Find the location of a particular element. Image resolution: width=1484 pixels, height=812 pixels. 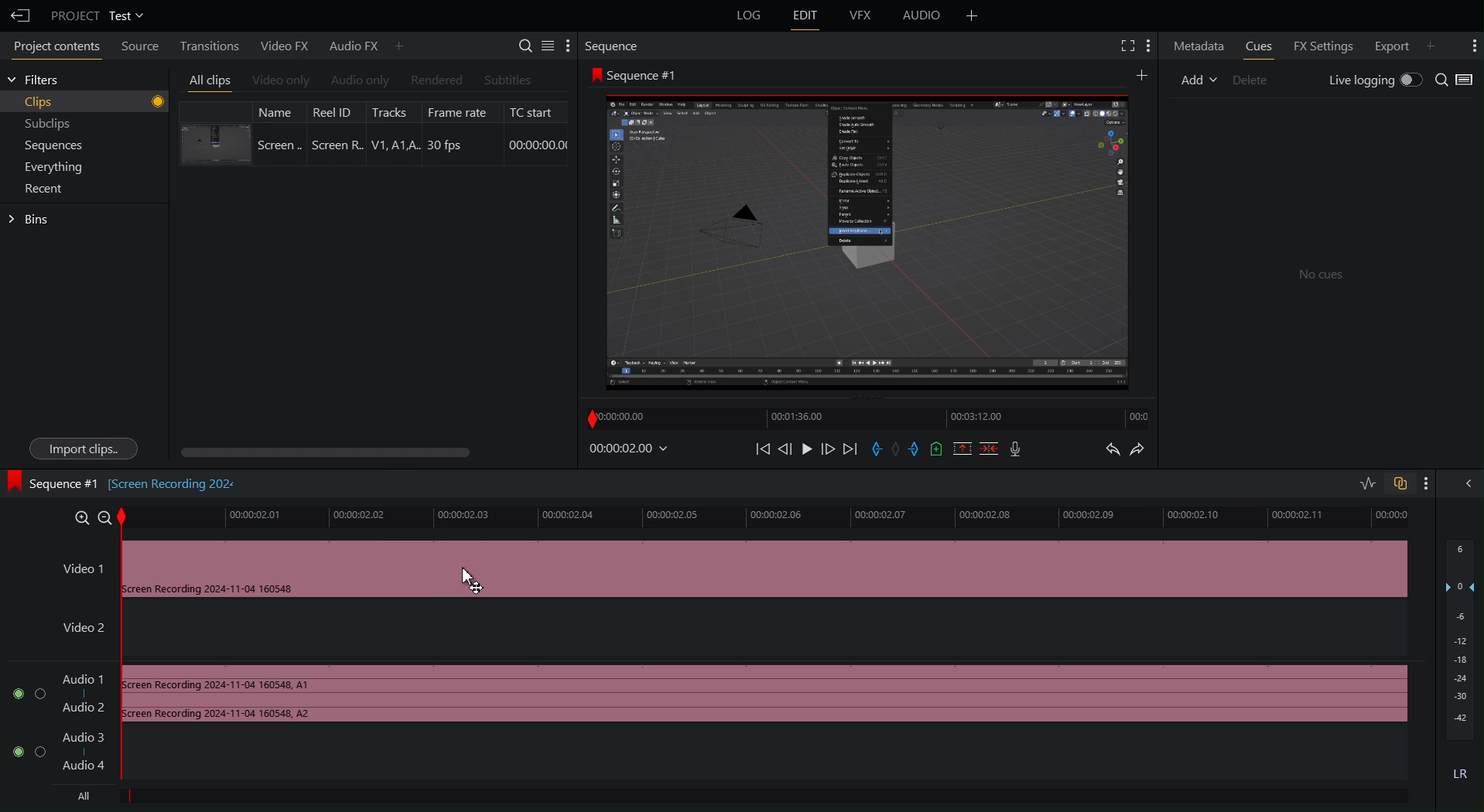

Audio Track 2 is located at coordinates (69, 755).